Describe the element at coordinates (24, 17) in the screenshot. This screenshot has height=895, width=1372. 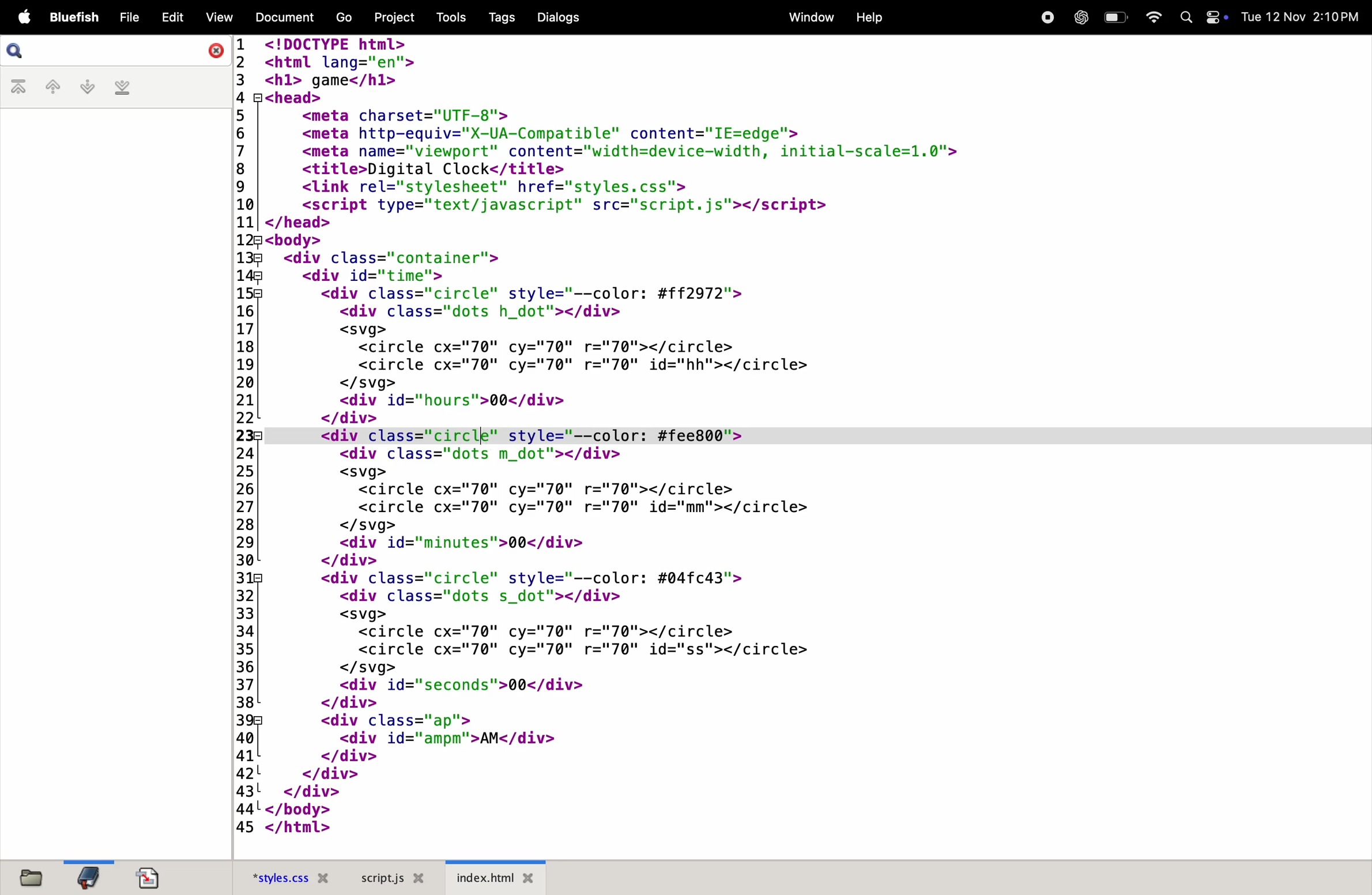
I see `apple menu` at that location.